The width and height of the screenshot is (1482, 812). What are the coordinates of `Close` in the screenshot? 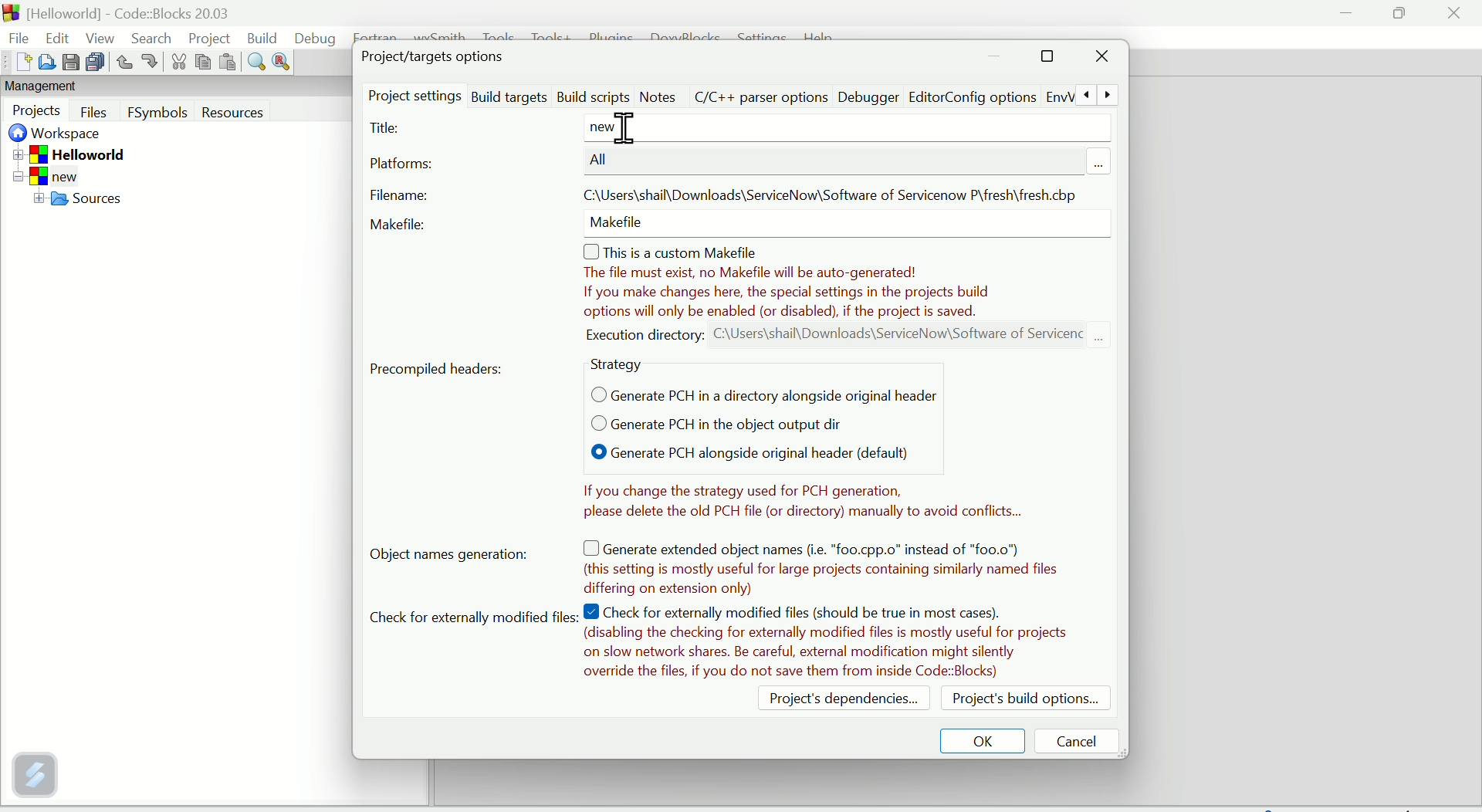 It's located at (1453, 18).